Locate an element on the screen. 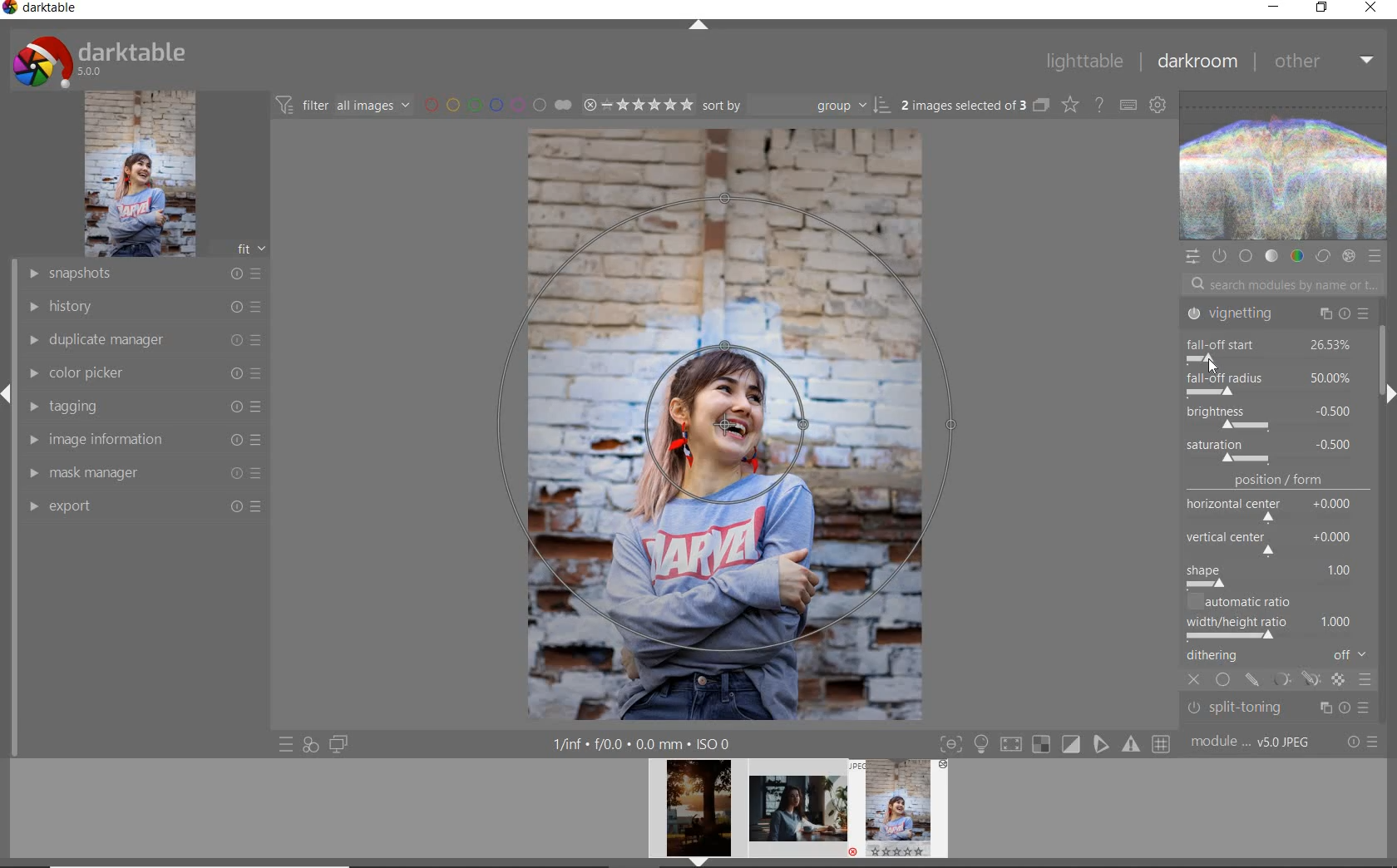 Image resolution: width=1397 pixels, height=868 pixels. expand/collapse is located at coordinates (1386, 393).